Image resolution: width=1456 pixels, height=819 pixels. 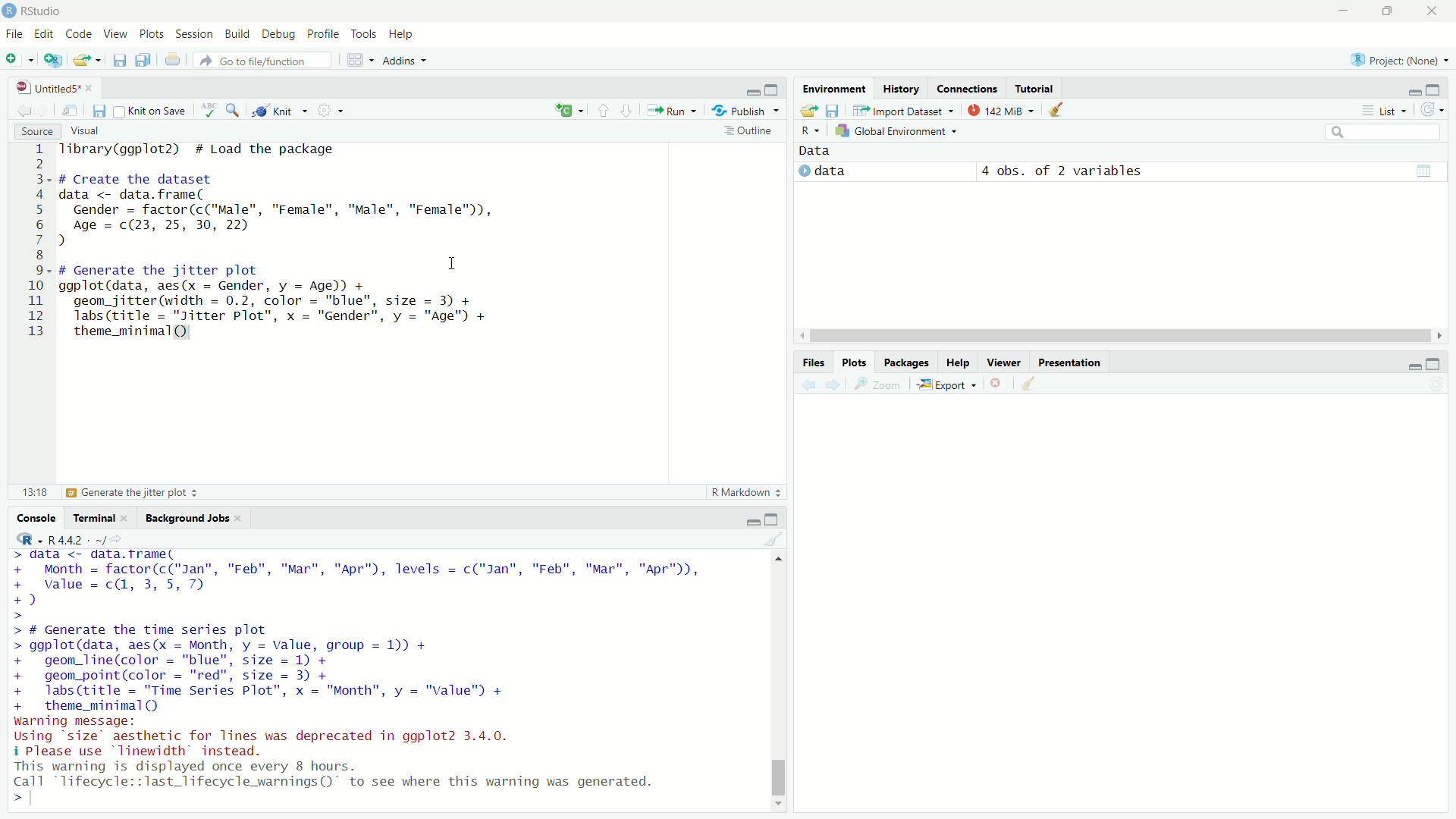 What do you see at coordinates (807, 384) in the screenshot?
I see `previous plot` at bounding box center [807, 384].